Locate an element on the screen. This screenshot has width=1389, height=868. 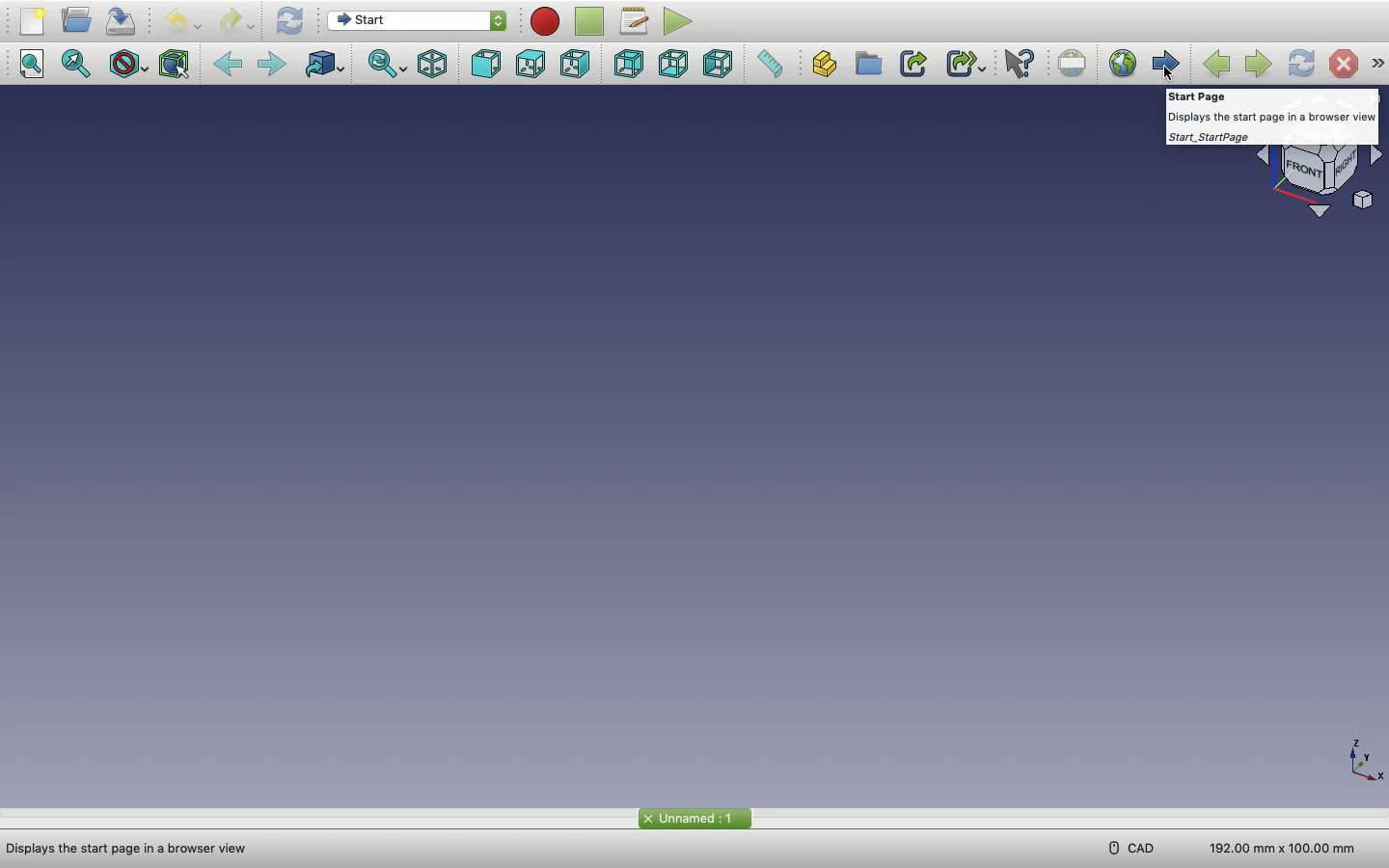
Save is located at coordinates (122, 20).